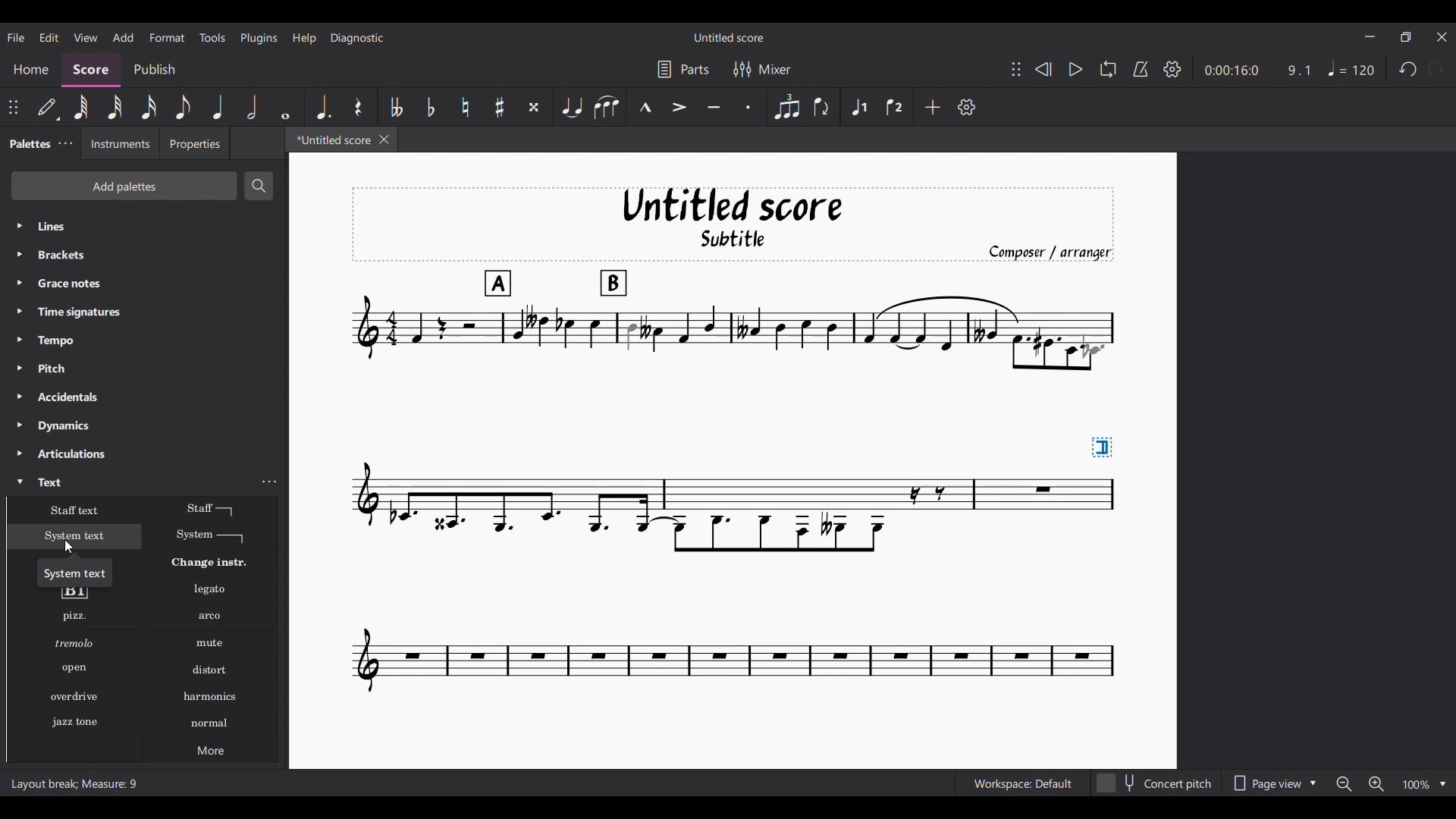 This screenshot has height=819, width=1456. What do you see at coordinates (1141, 69) in the screenshot?
I see `Metronome` at bounding box center [1141, 69].